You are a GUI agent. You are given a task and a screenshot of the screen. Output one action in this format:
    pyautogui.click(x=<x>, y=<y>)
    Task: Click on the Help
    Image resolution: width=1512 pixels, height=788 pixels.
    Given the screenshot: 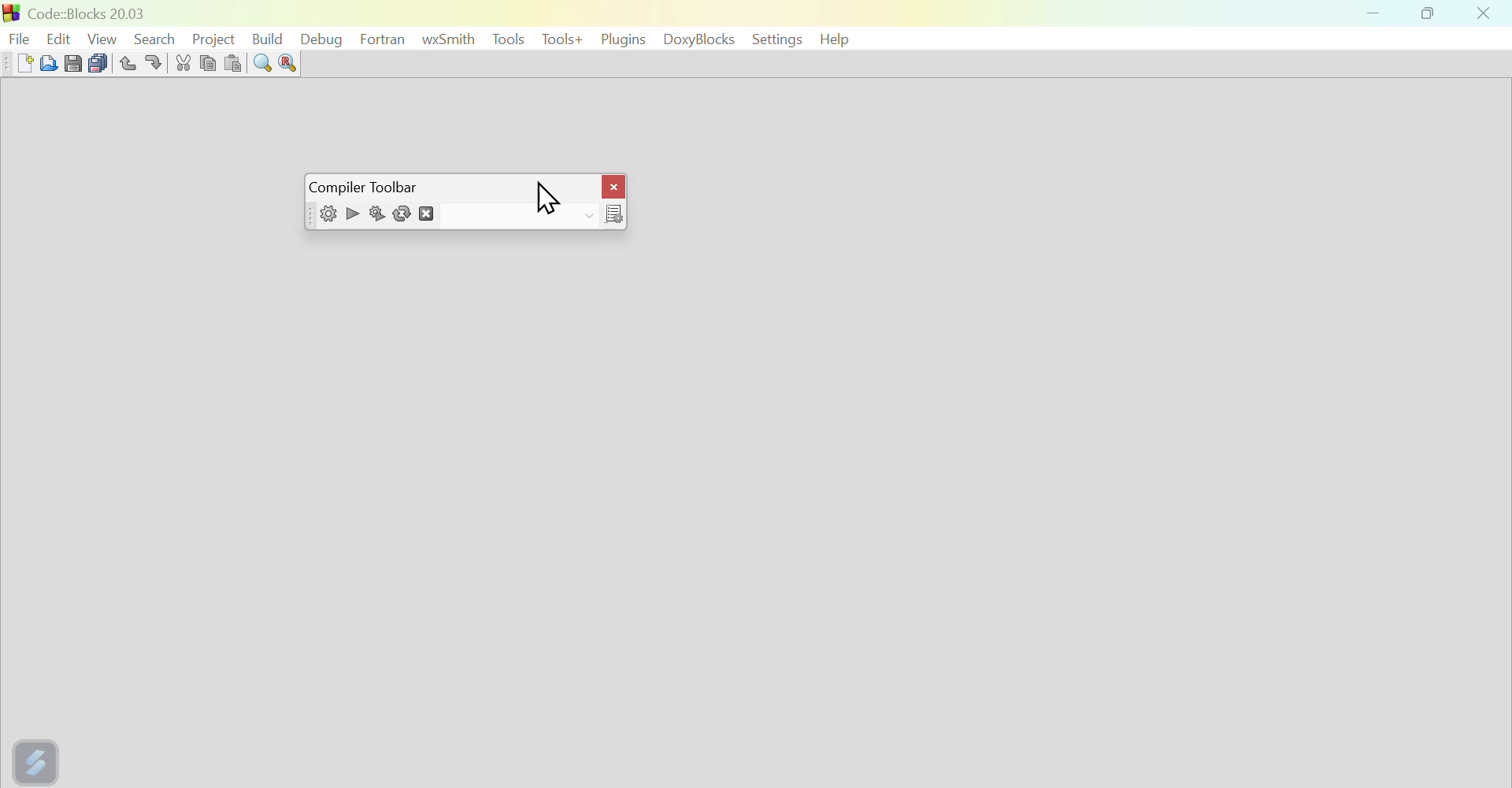 What is the action you would take?
    pyautogui.click(x=838, y=39)
    